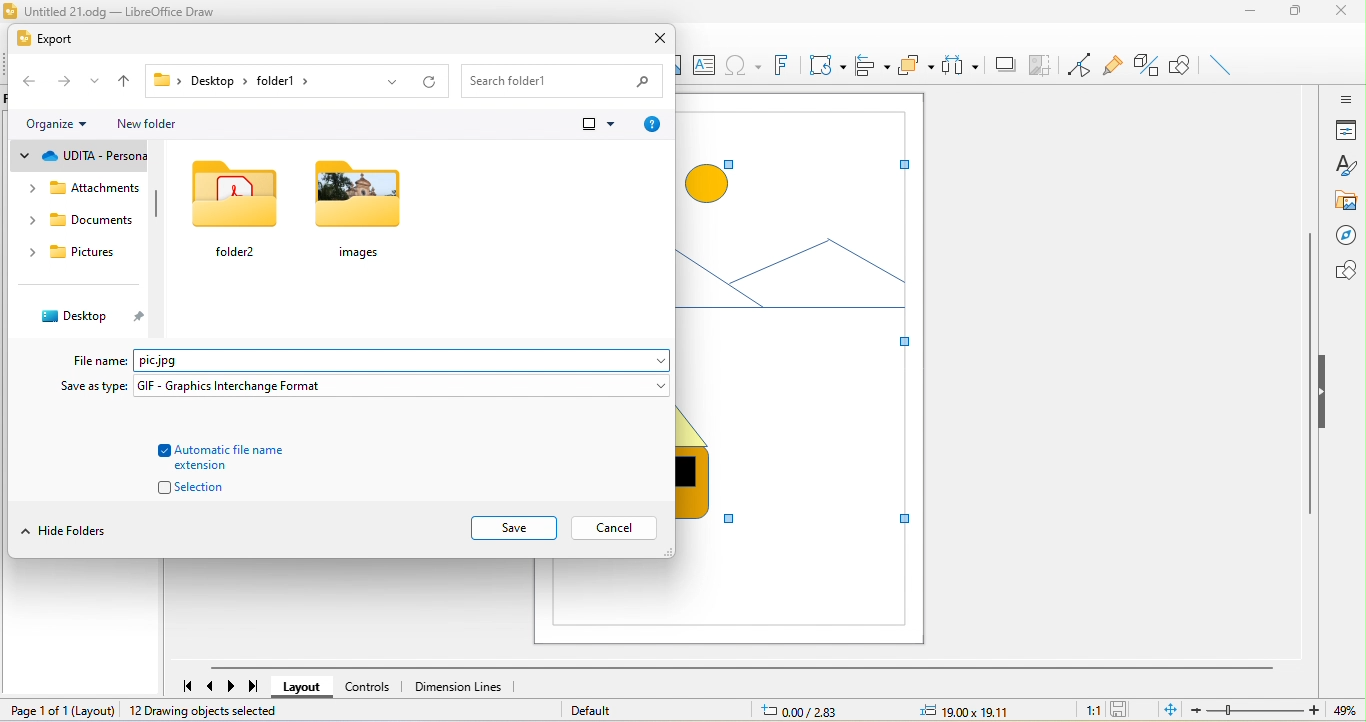 Image resolution: width=1366 pixels, height=722 pixels. Describe the element at coordinates (165, 217) in the screenshot. I see `vertical scroll bar` at that location.